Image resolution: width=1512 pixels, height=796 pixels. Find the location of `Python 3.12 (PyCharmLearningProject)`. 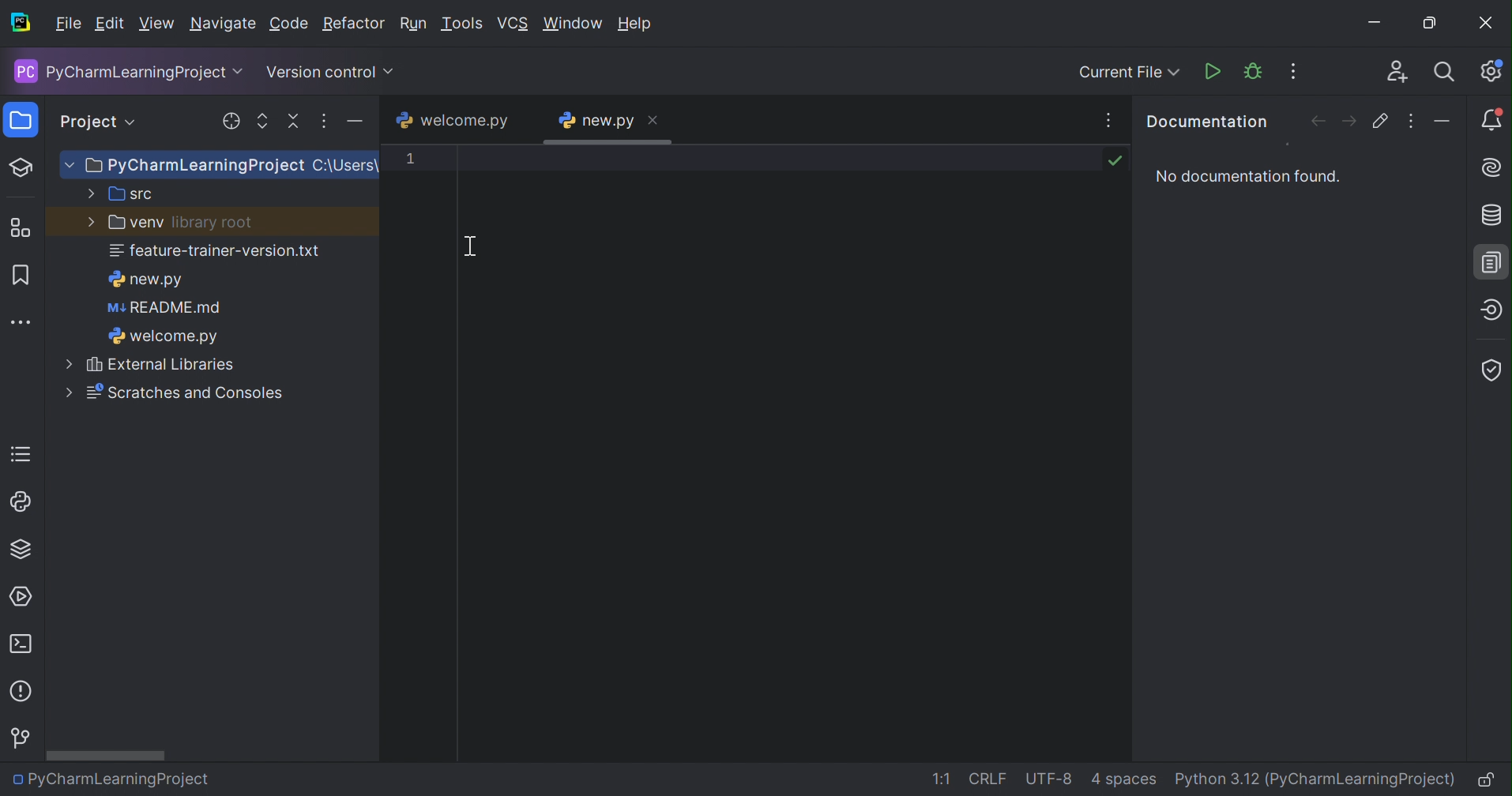

Python 3.12 (PyCharmLearningProject) is located at coordinates (1319, 779).